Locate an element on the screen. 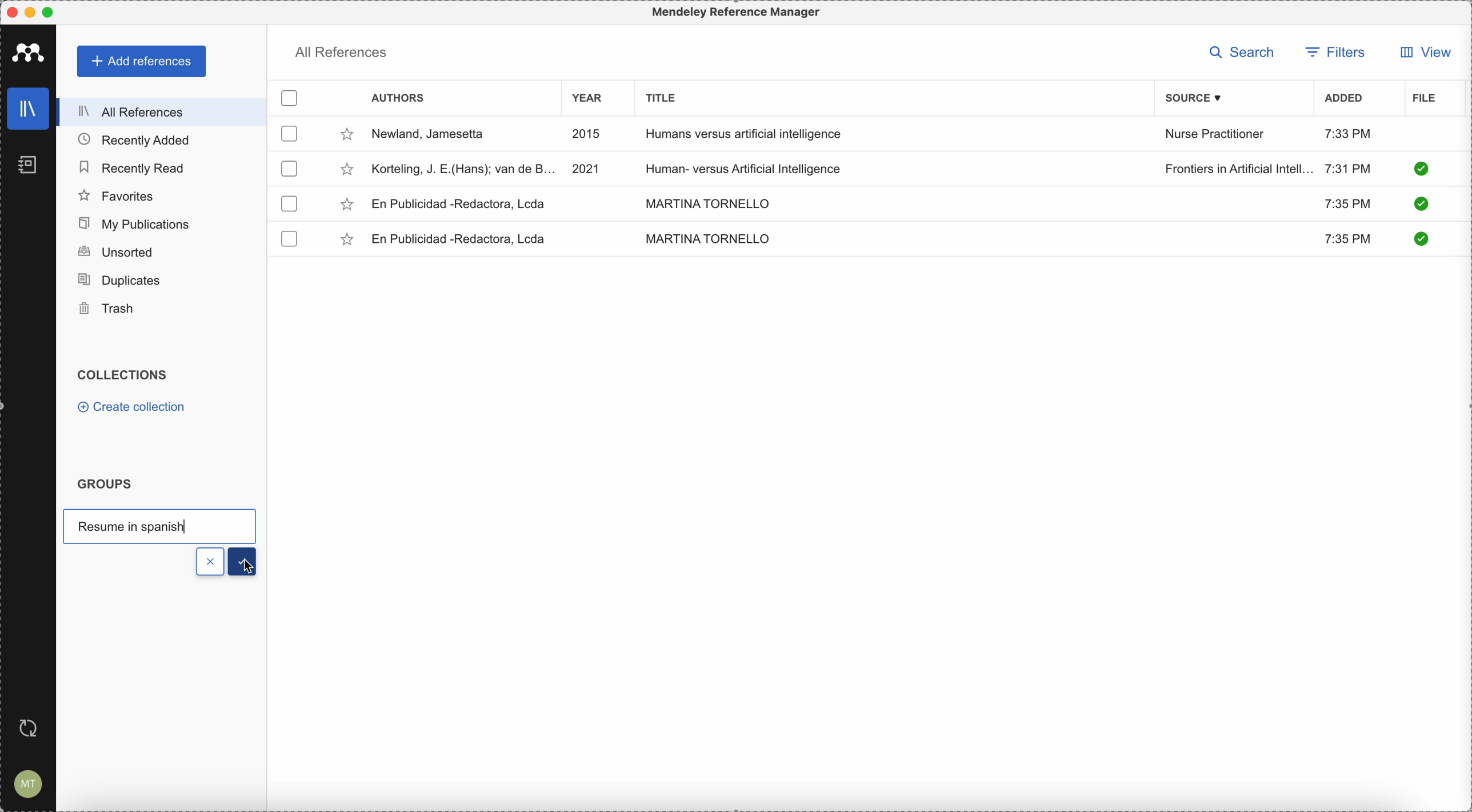  Human-versus Artificial Intelligence is located at coordinates (754, 167).